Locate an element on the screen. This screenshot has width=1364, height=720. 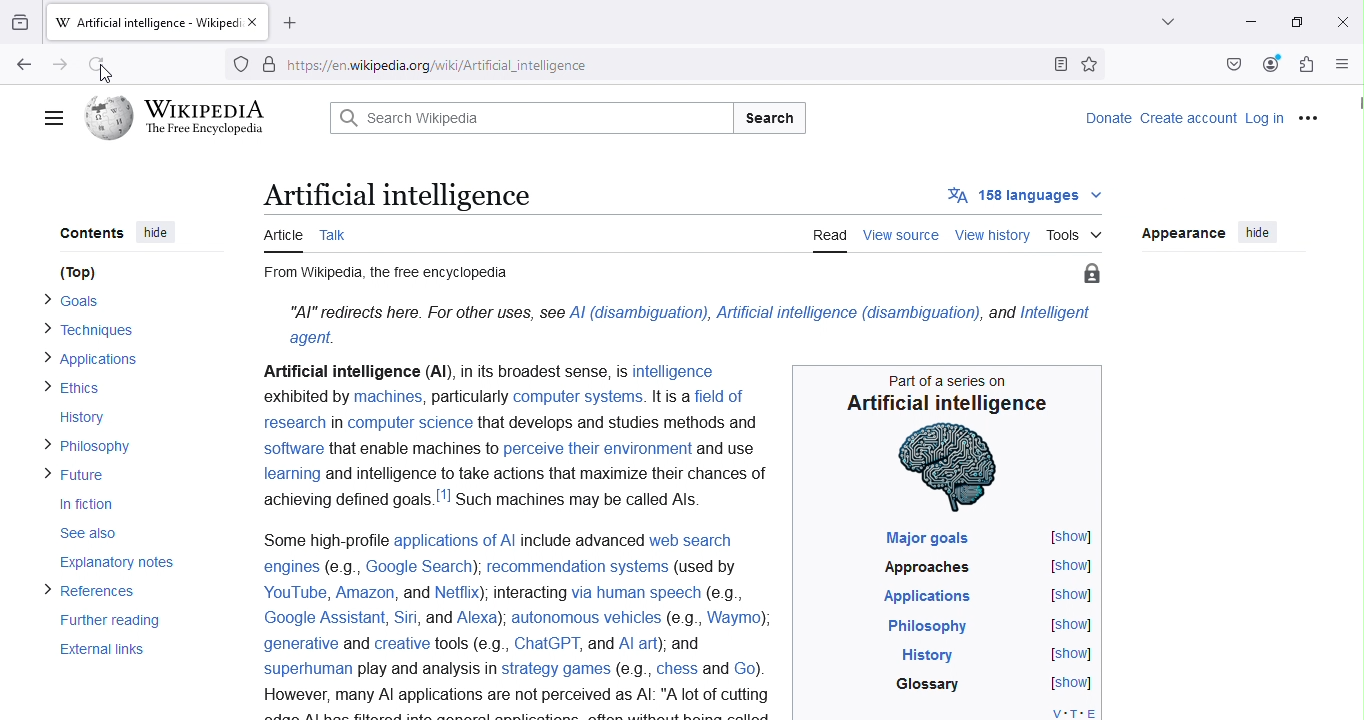
> Goals is located at coordinates (68, 299).